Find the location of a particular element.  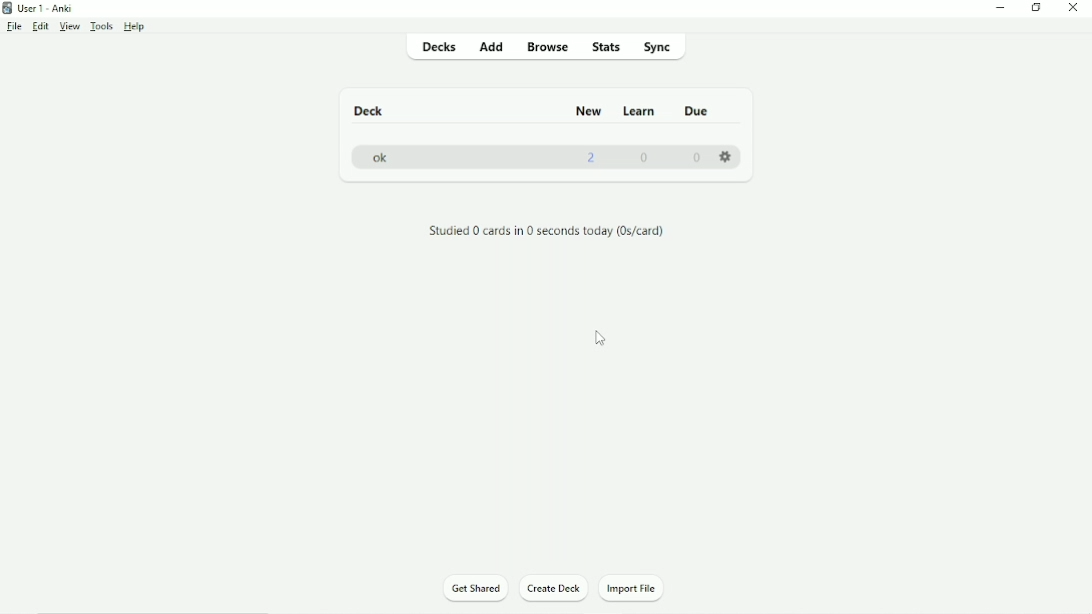

Help is located at coordinates (136, 27).